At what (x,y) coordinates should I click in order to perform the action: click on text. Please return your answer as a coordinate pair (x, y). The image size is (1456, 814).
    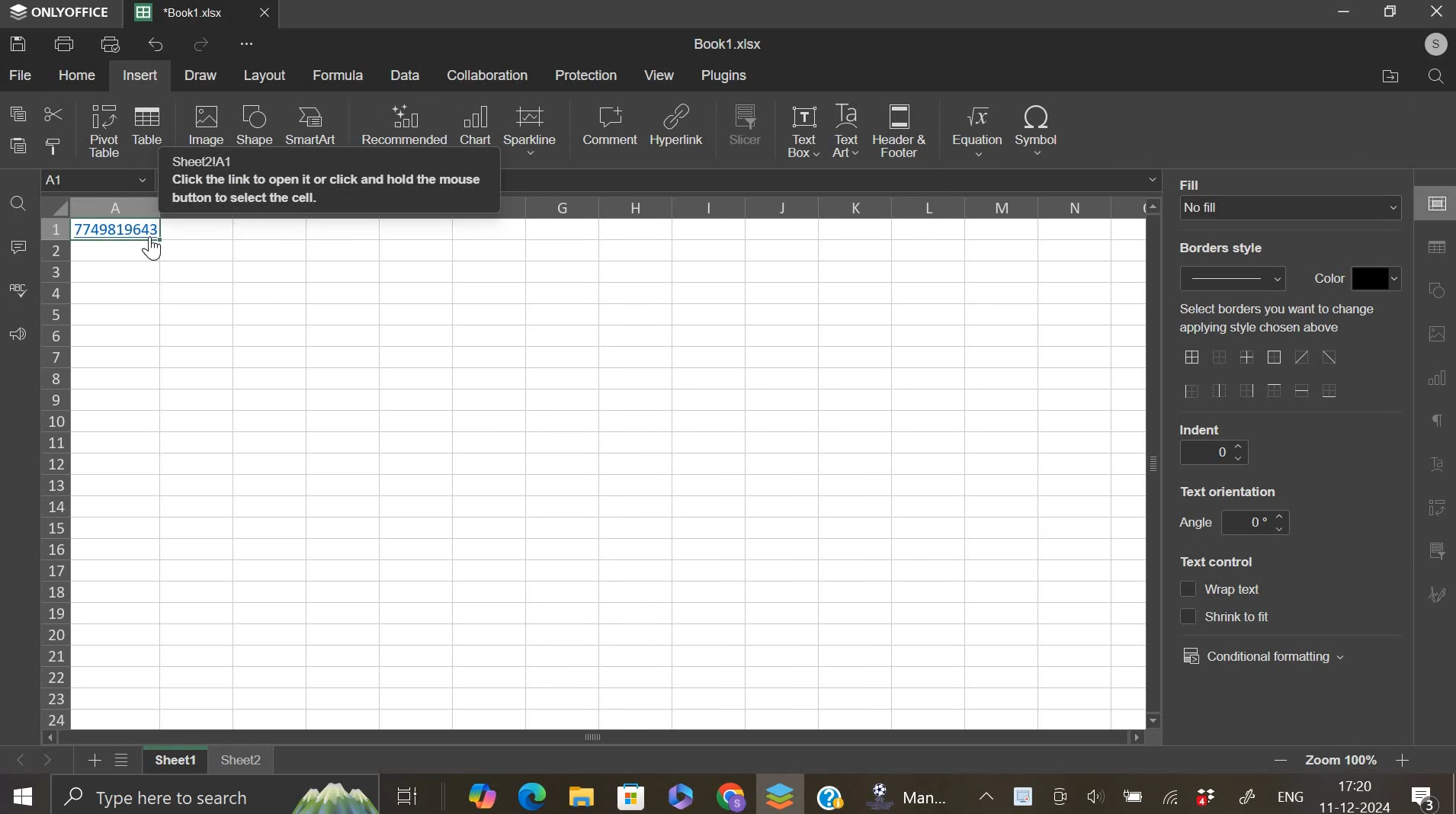
    Looking at the image, I should click on (1201, 428).